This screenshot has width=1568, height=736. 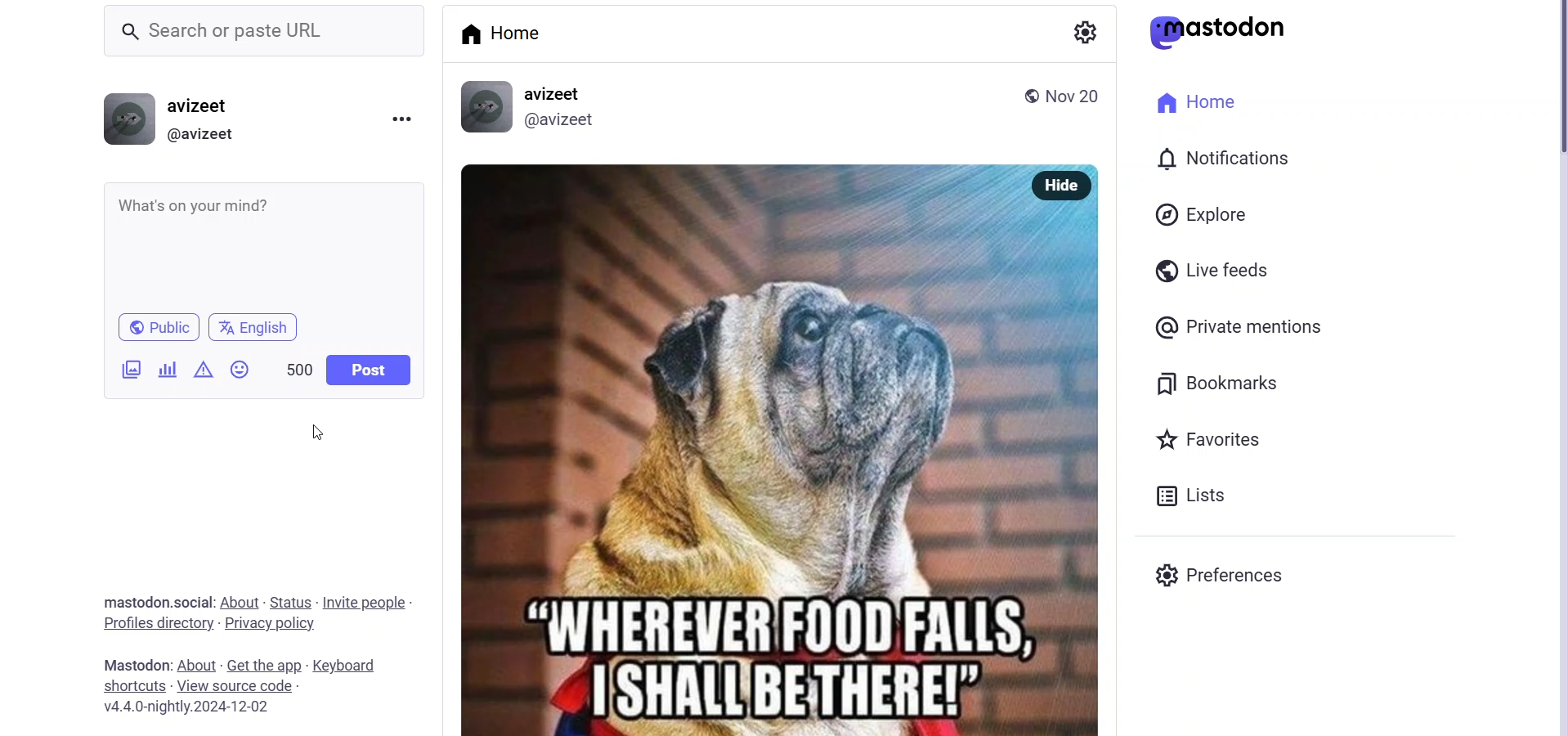 What do you see at coordinates (1226, 157) in the screenshot?
I see `notification` at bounding box center [1226, 157].